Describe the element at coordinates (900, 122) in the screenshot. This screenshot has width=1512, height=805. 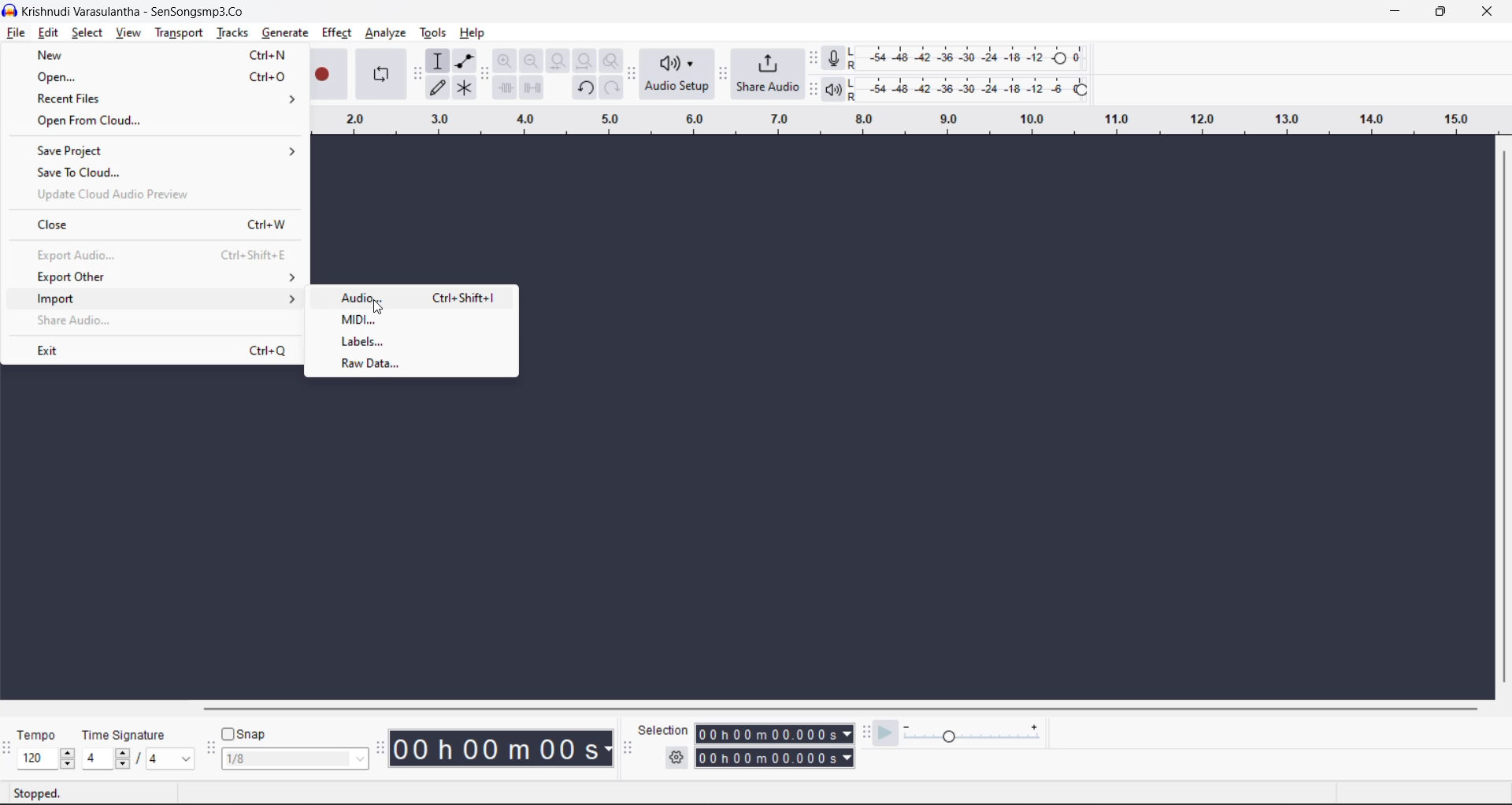
I see `Scale` at that location.